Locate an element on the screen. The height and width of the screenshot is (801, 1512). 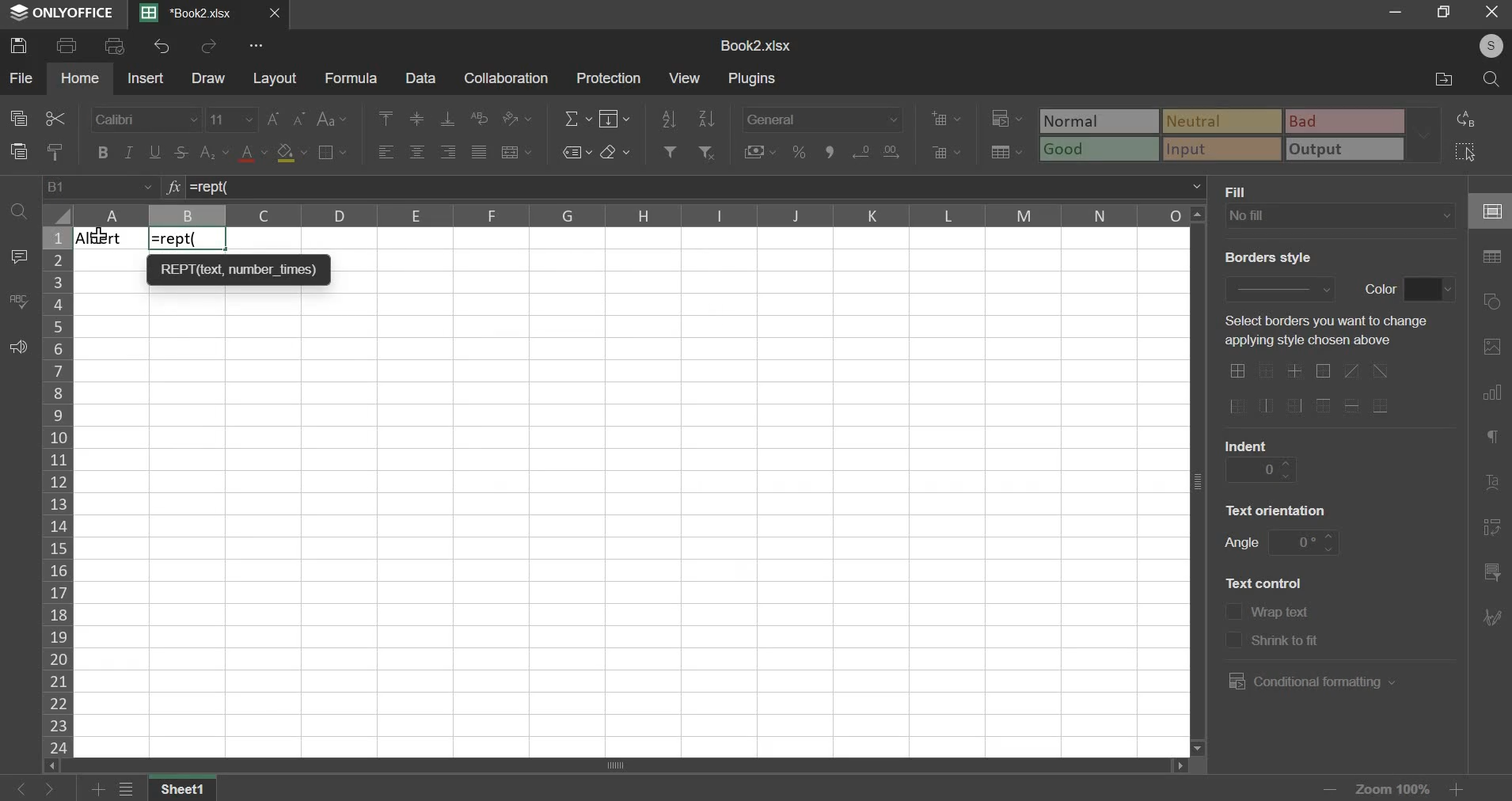
font size increase/decrease is located at coordinates (287, 119).